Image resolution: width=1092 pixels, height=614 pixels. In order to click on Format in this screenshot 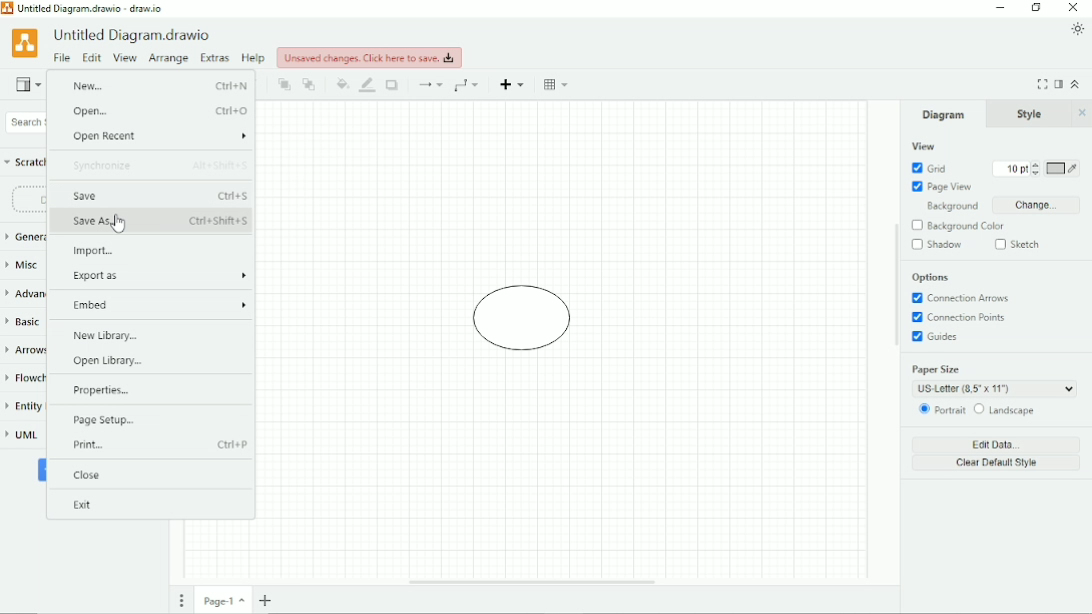, I will do `click(1058, 85)`.